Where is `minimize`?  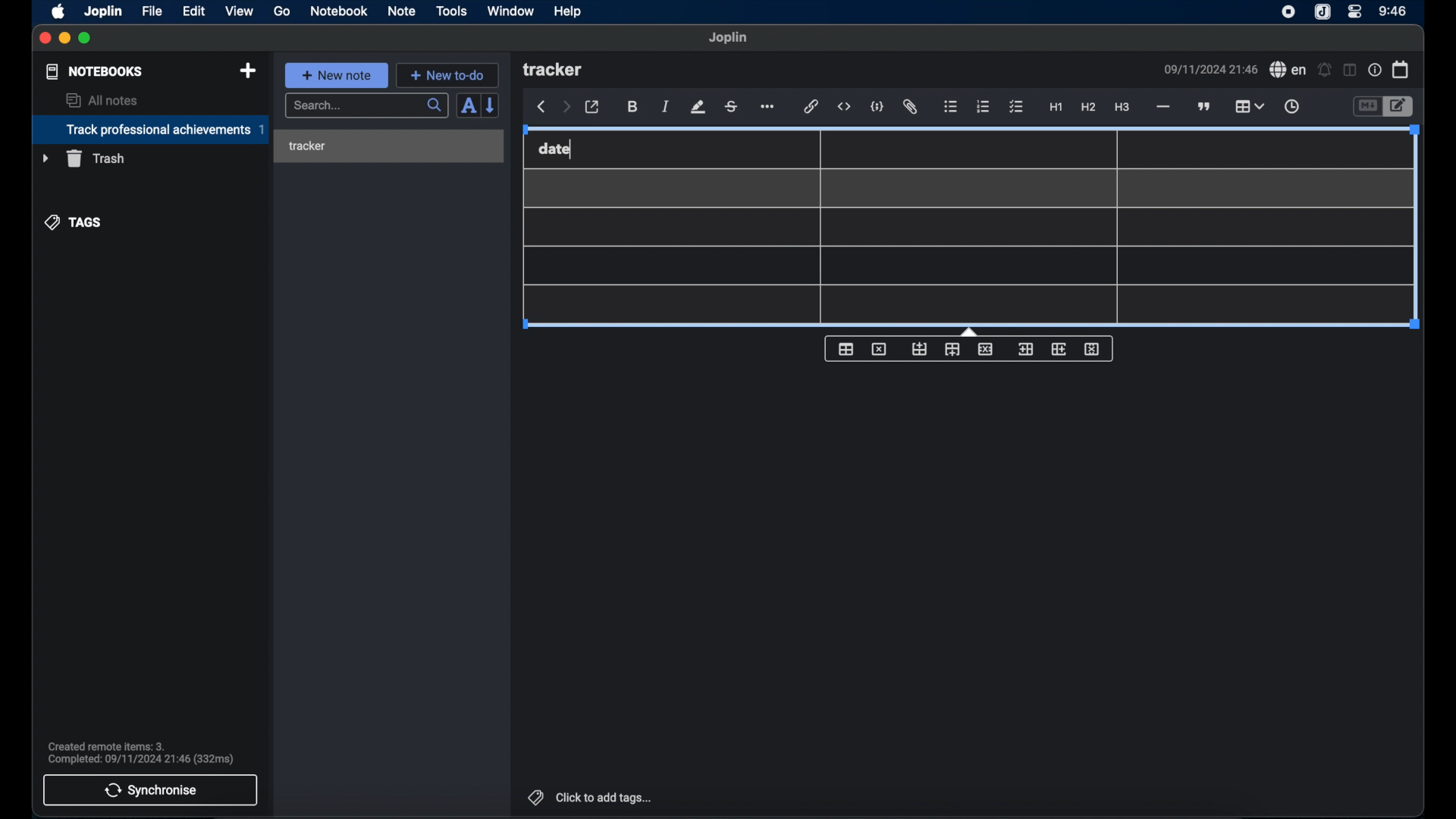 minimize is located at coordinates (65, 39).